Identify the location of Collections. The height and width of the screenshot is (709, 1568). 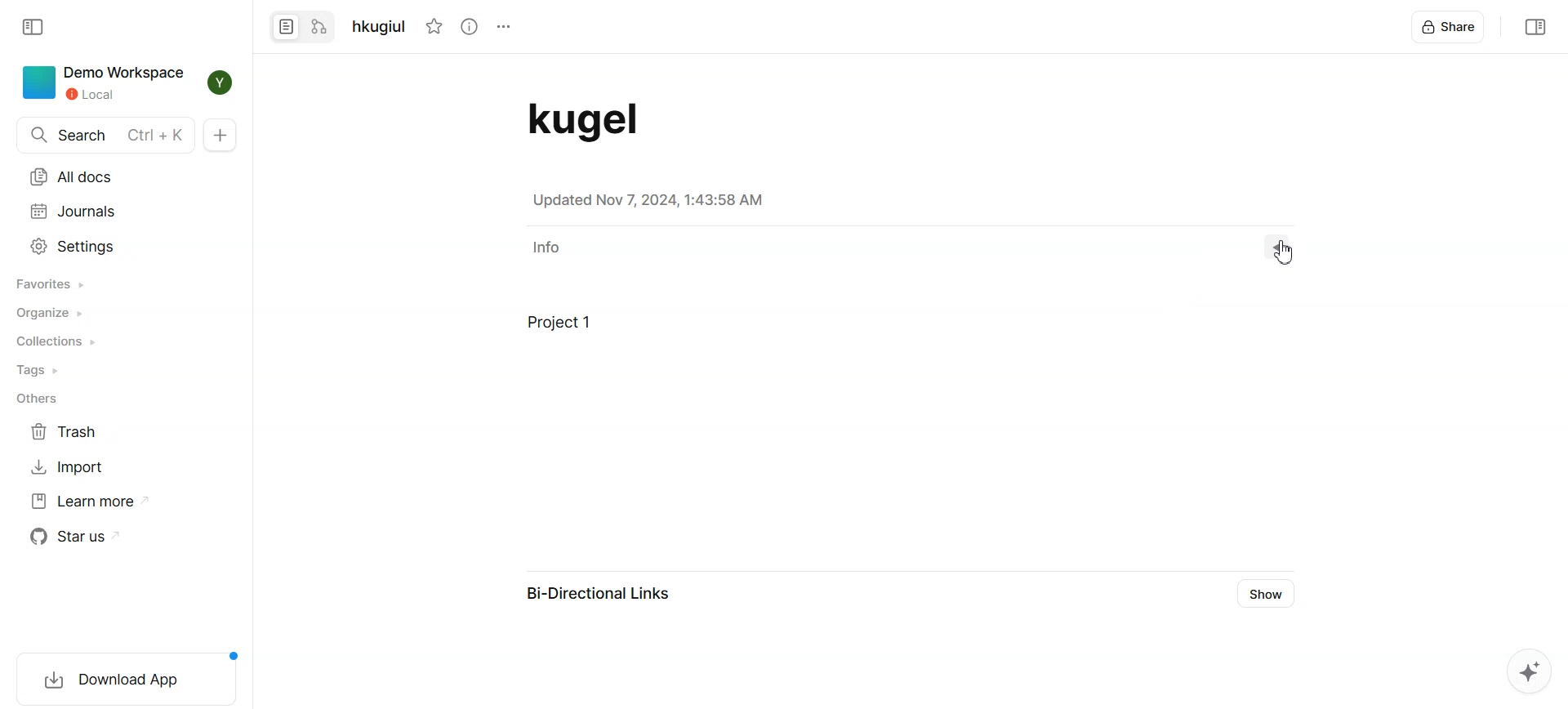
(55, 342).